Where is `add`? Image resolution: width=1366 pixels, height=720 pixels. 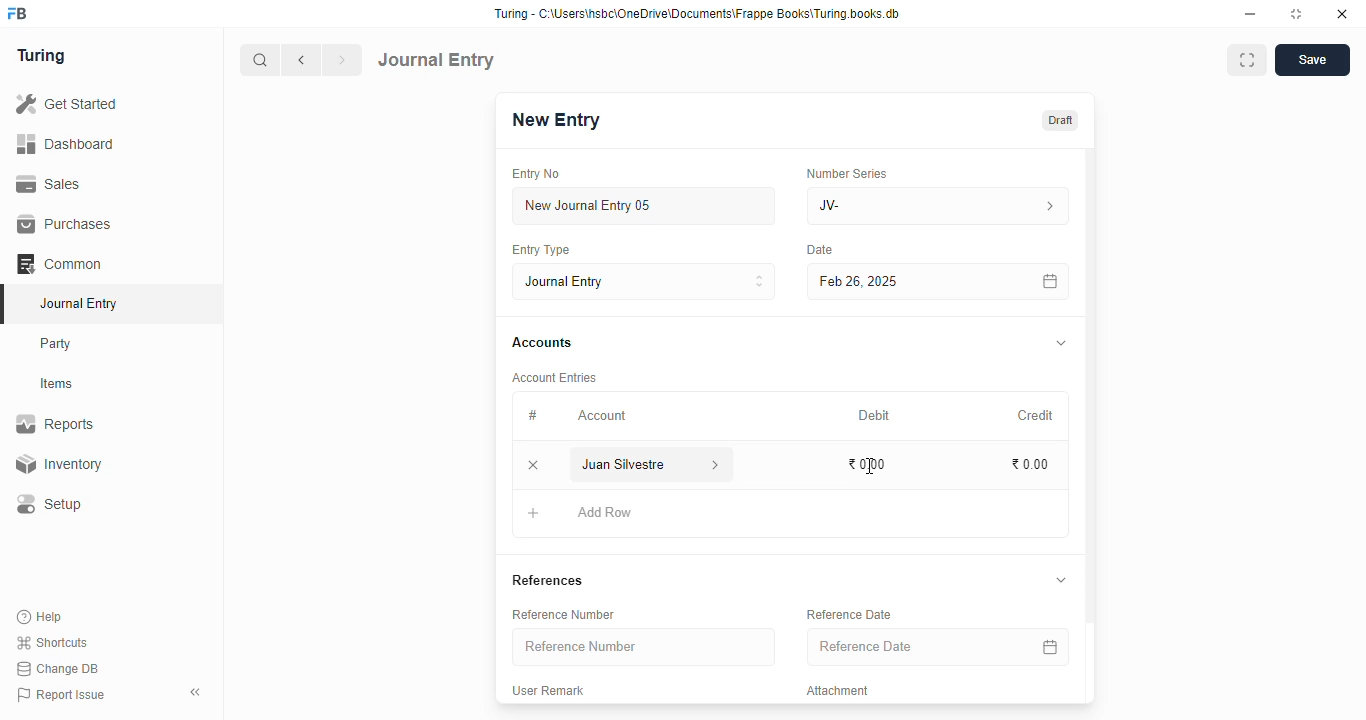
add is located at coordinates (534, 516).